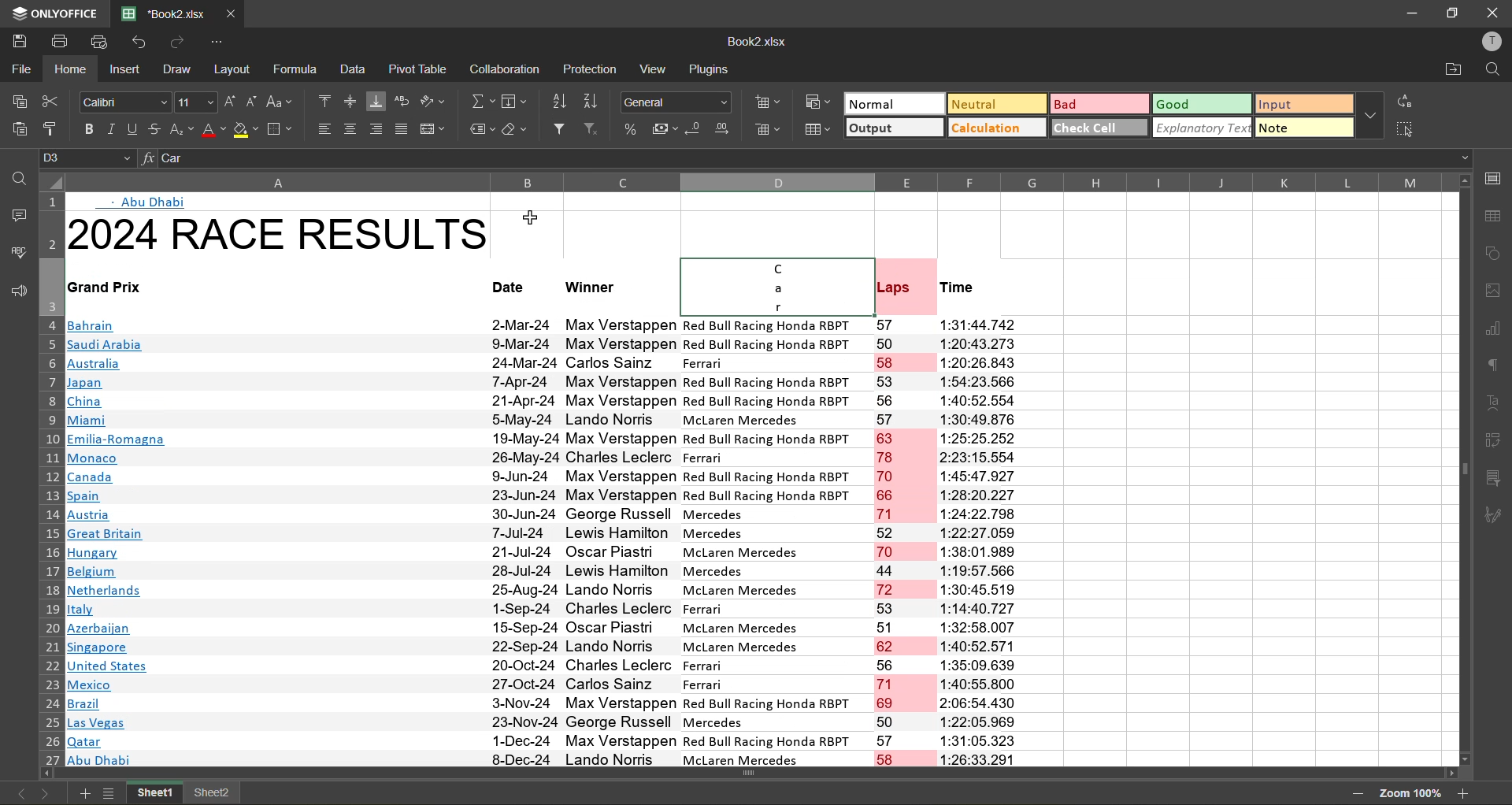  What do you see at coordinates (281, 132) in the screenshot?
I see `borders` at bounding box center [281, 132].